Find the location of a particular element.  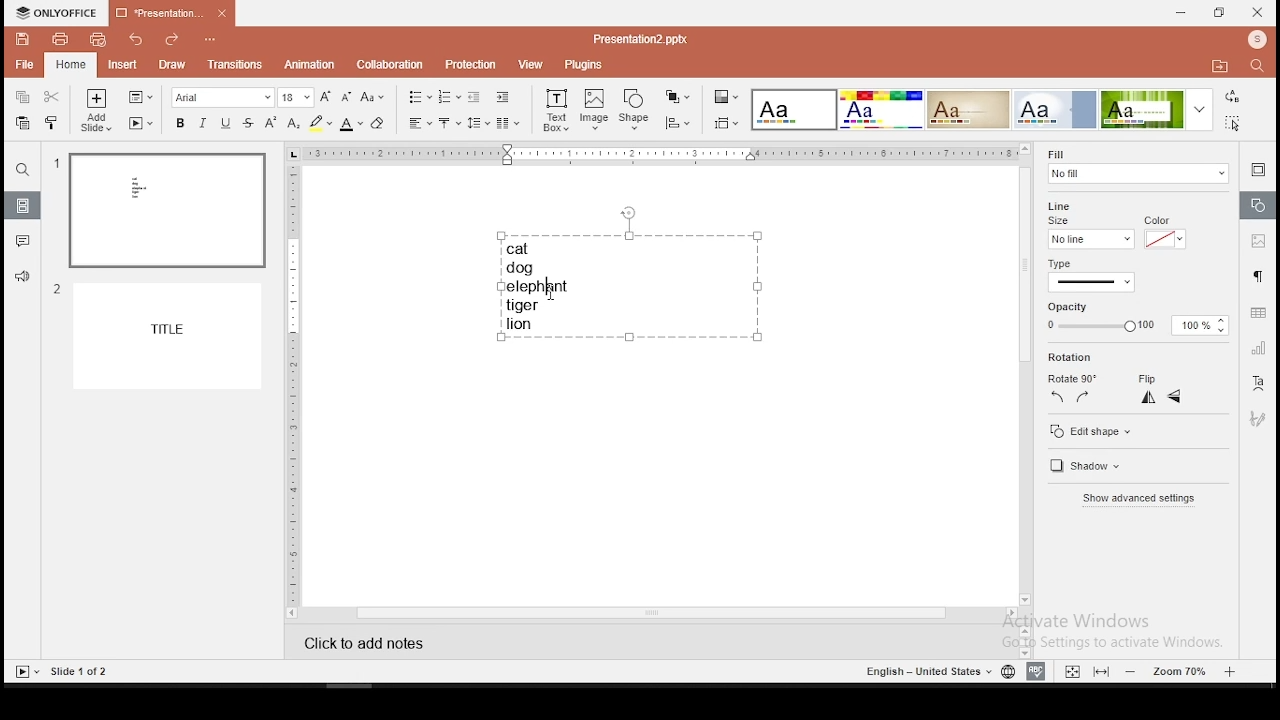

theme  is located at coordinates (1156, 110).